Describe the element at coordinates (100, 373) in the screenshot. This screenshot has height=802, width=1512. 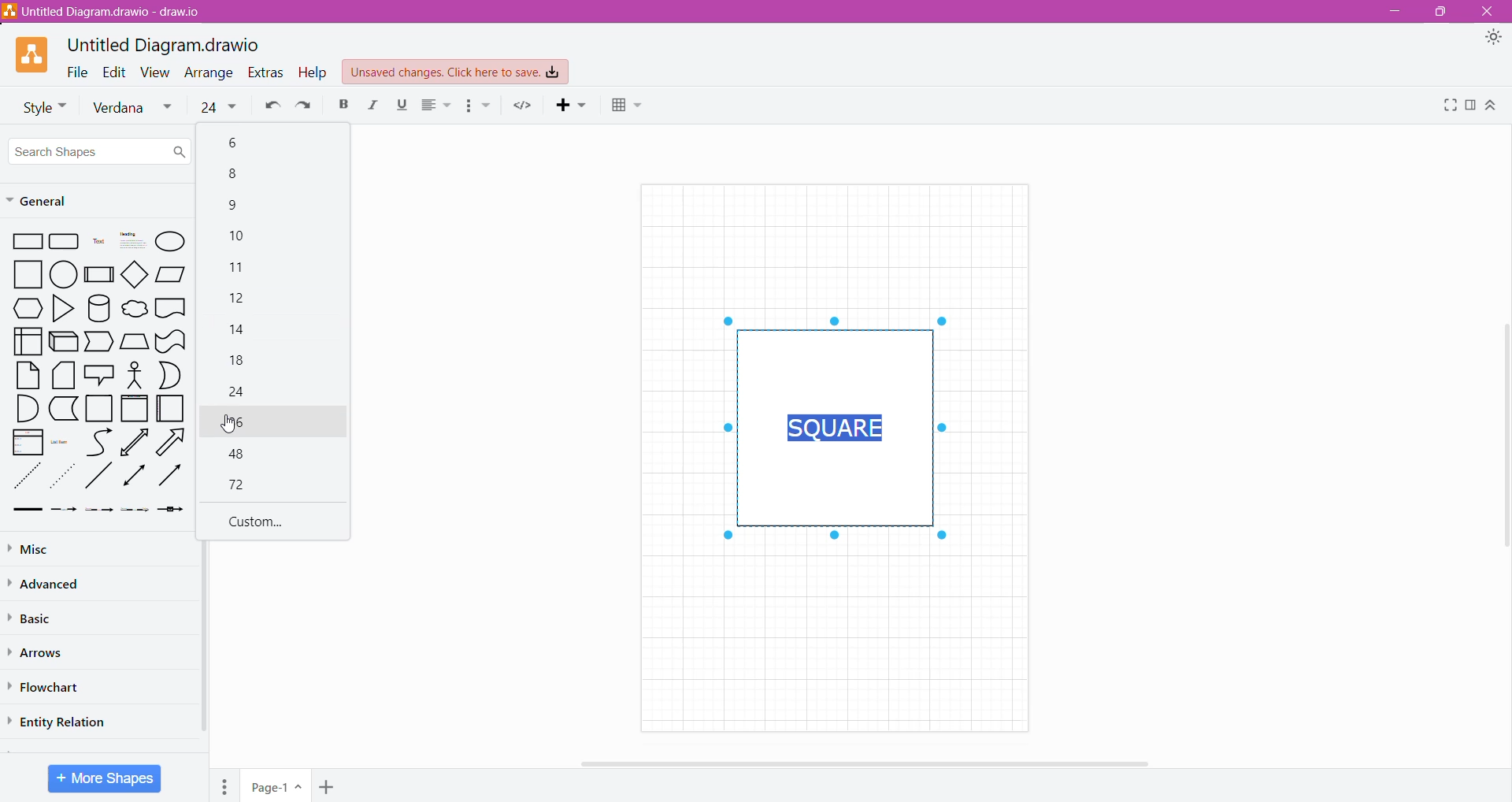
I see `Speech Bubble` at that location.